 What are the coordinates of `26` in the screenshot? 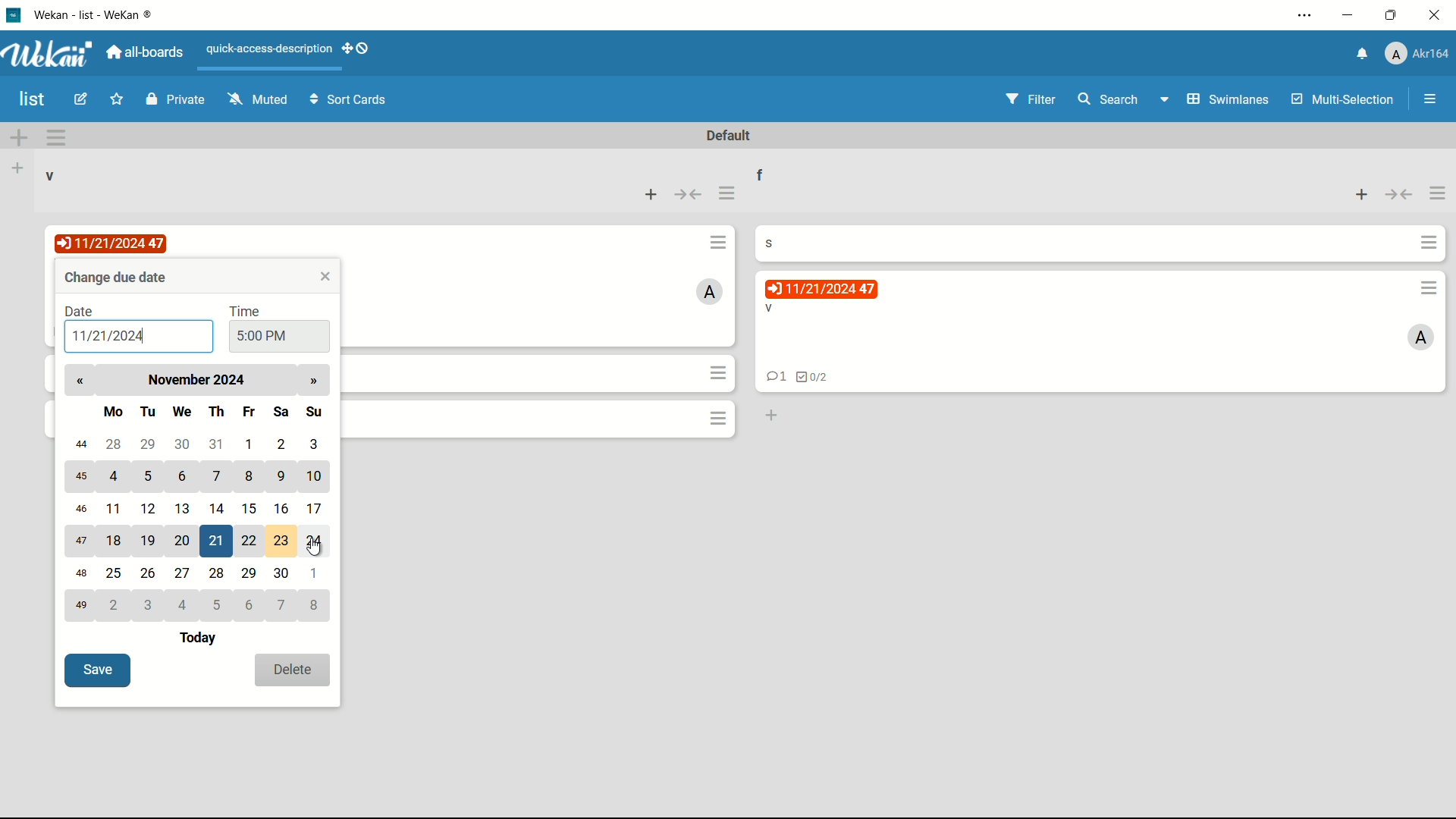 It's located at (149, 573).